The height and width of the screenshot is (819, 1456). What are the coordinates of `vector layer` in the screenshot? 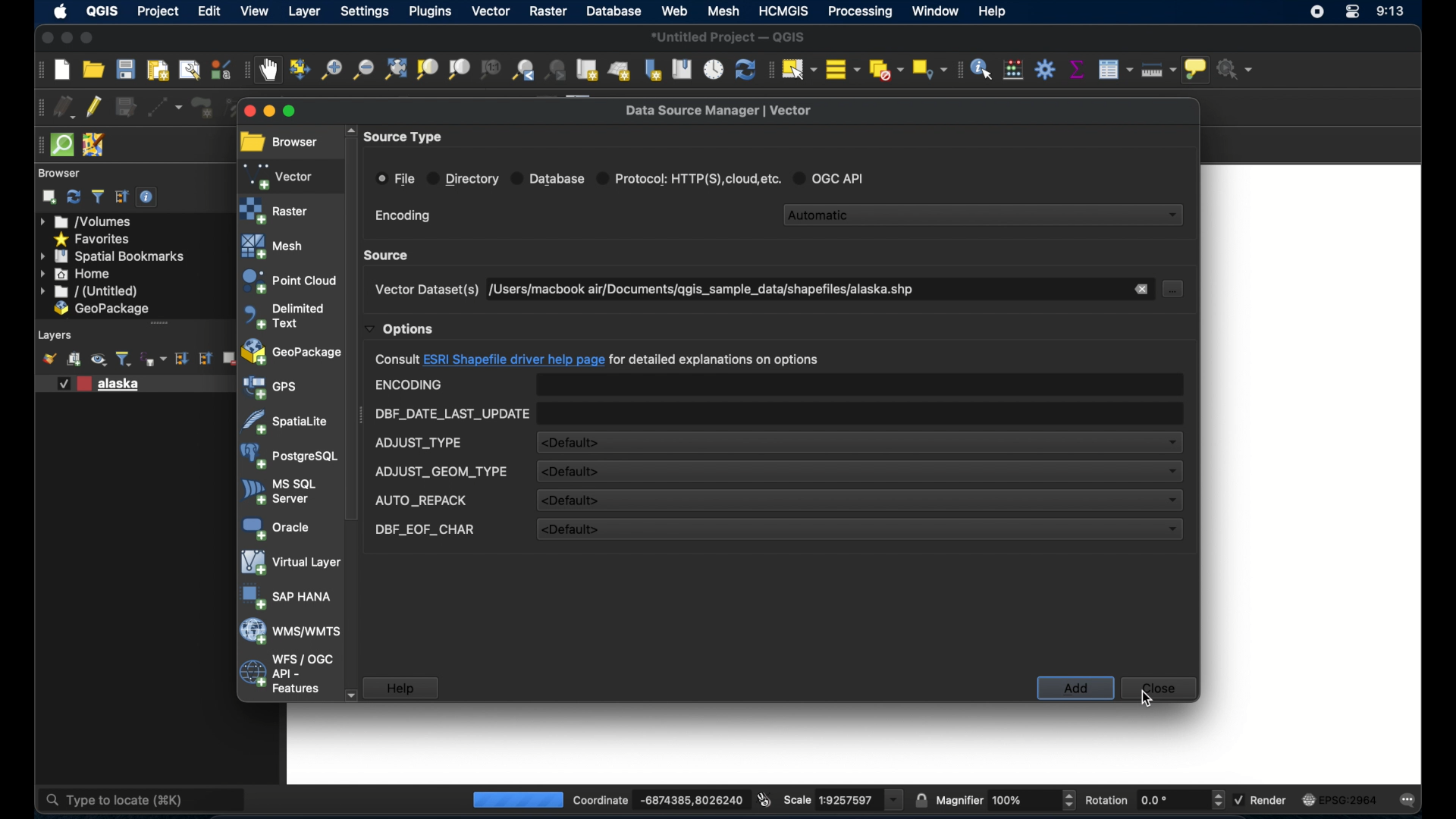 It's located at (103, 382).